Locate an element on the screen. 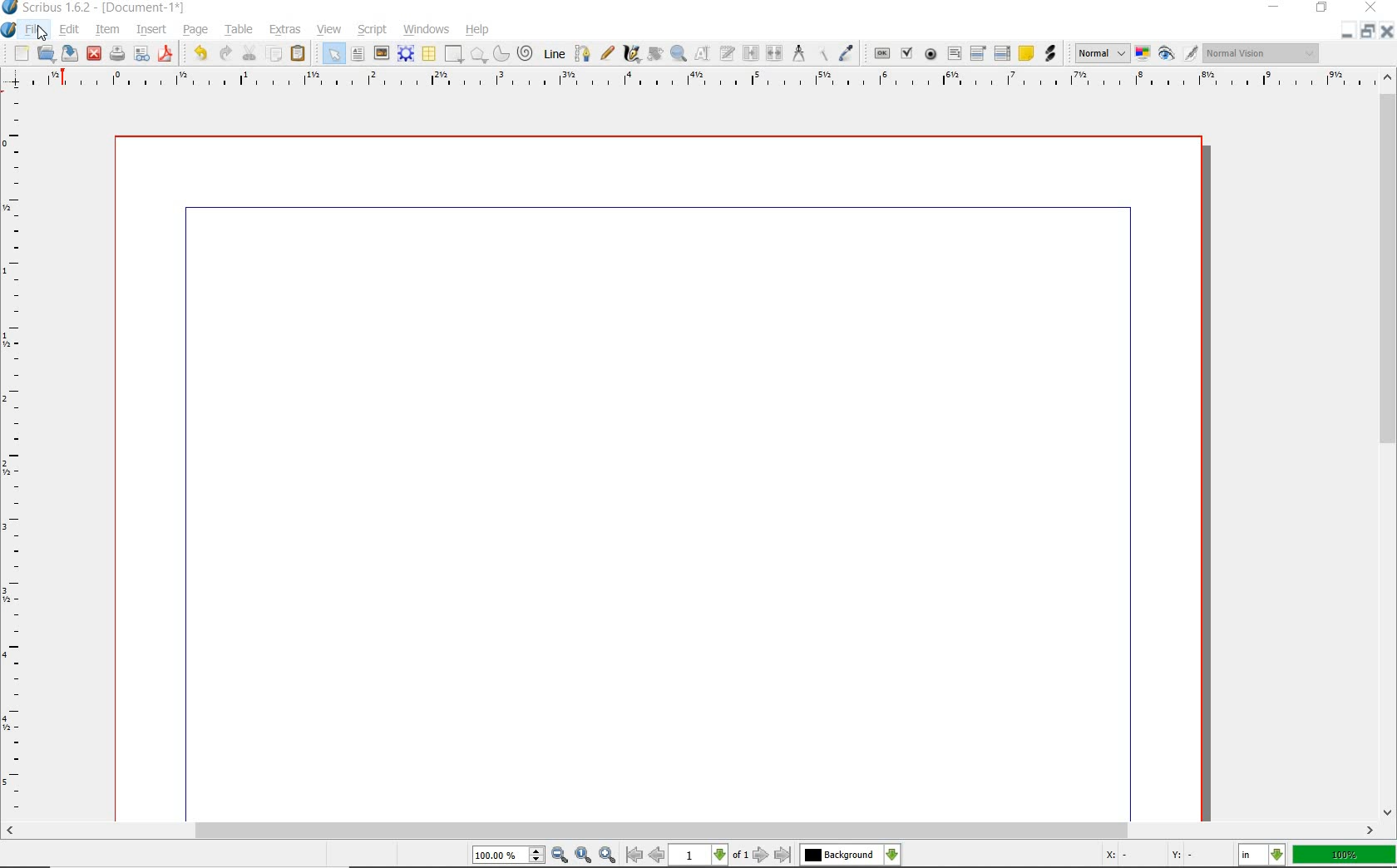 This screenshot has width=1397, height=868. cut is located at coordinates (249, 52).